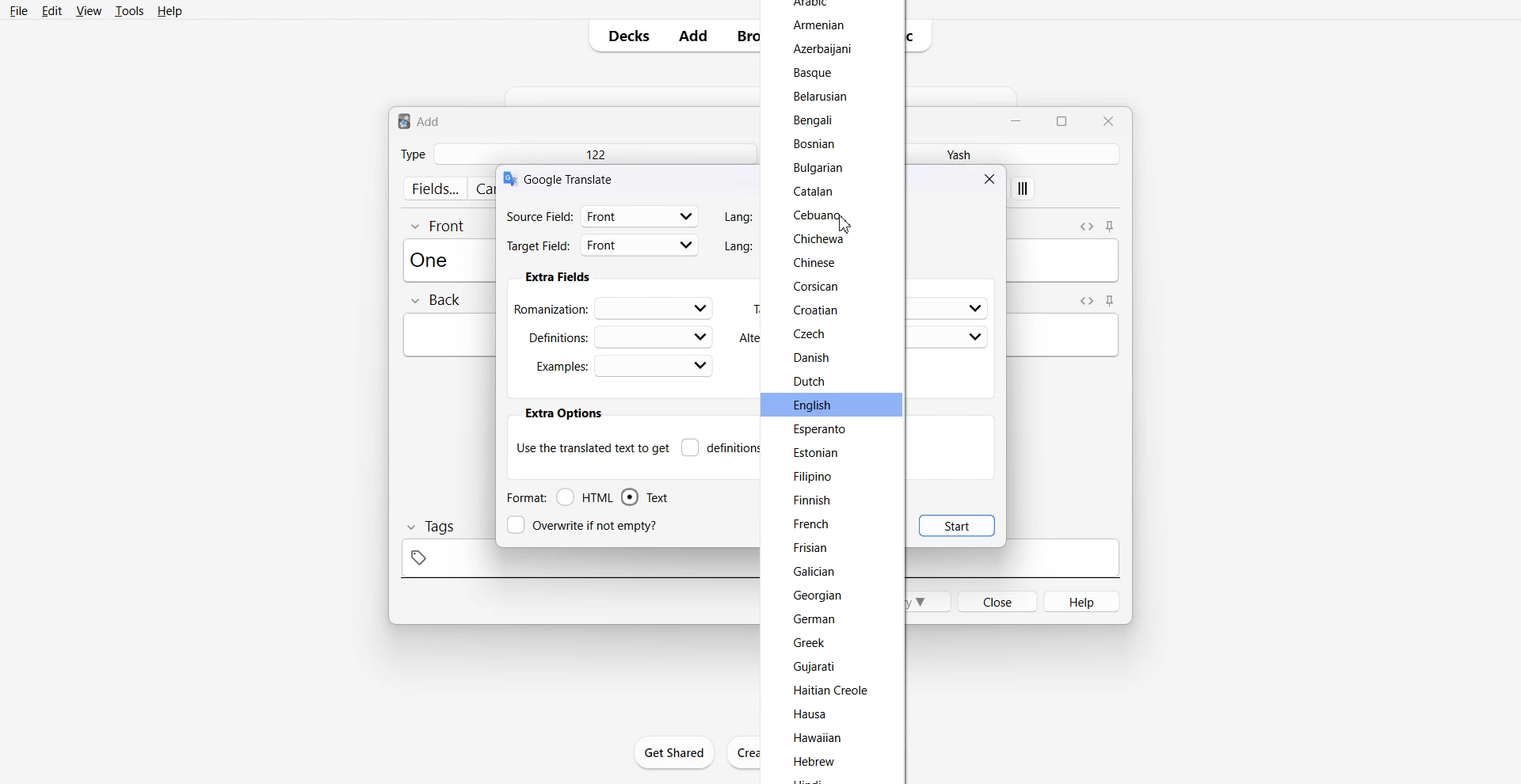 The height and width of the screenshot is (784, 1521). What do you see at coordinates (585, 525) in the screenshot?
I see `Overwrite if not empty` at bounding box center [585, 525].